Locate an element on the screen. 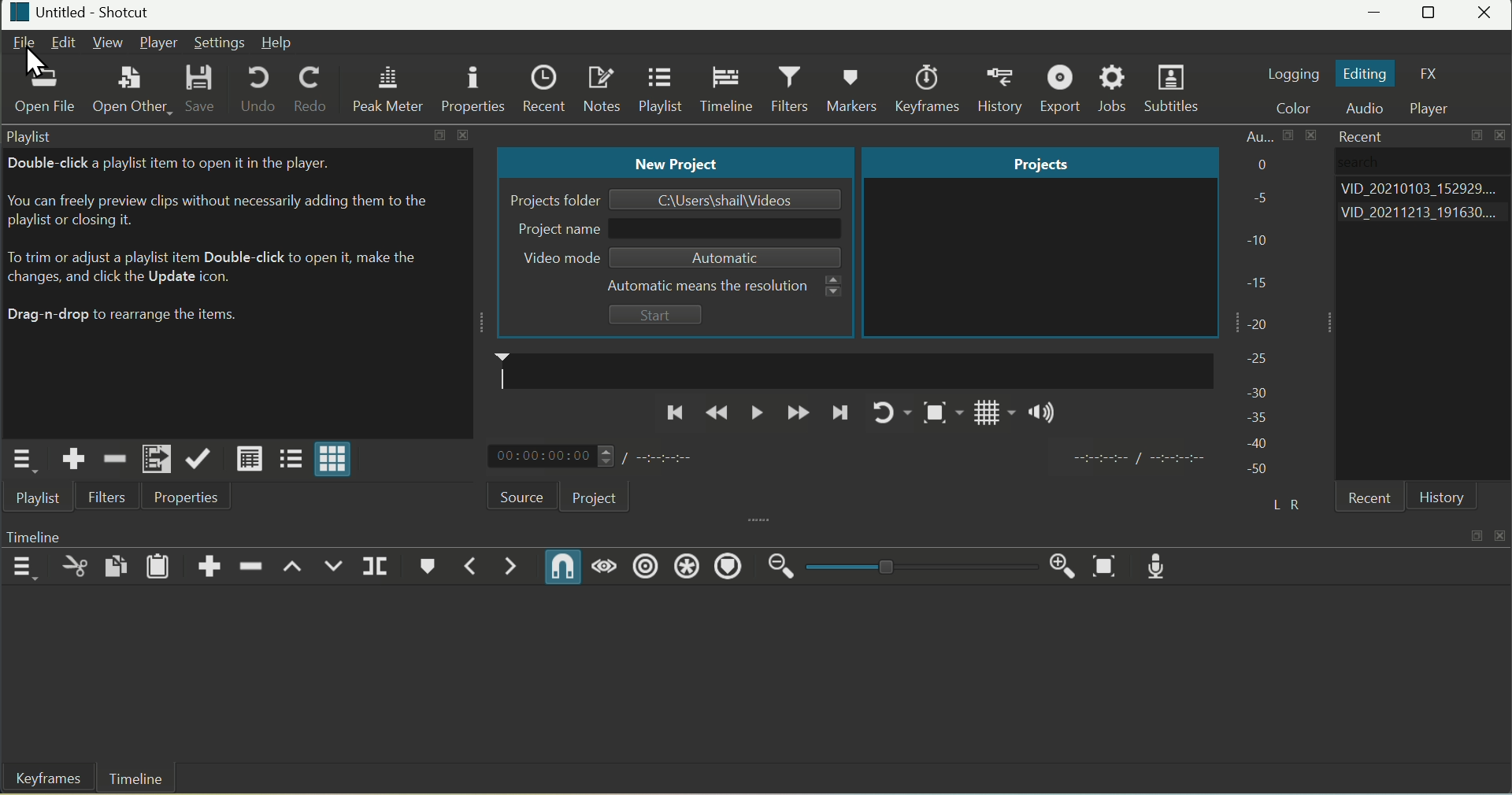 The image size is (1512, 795). zoom slider is located at coordinates (918, 568).